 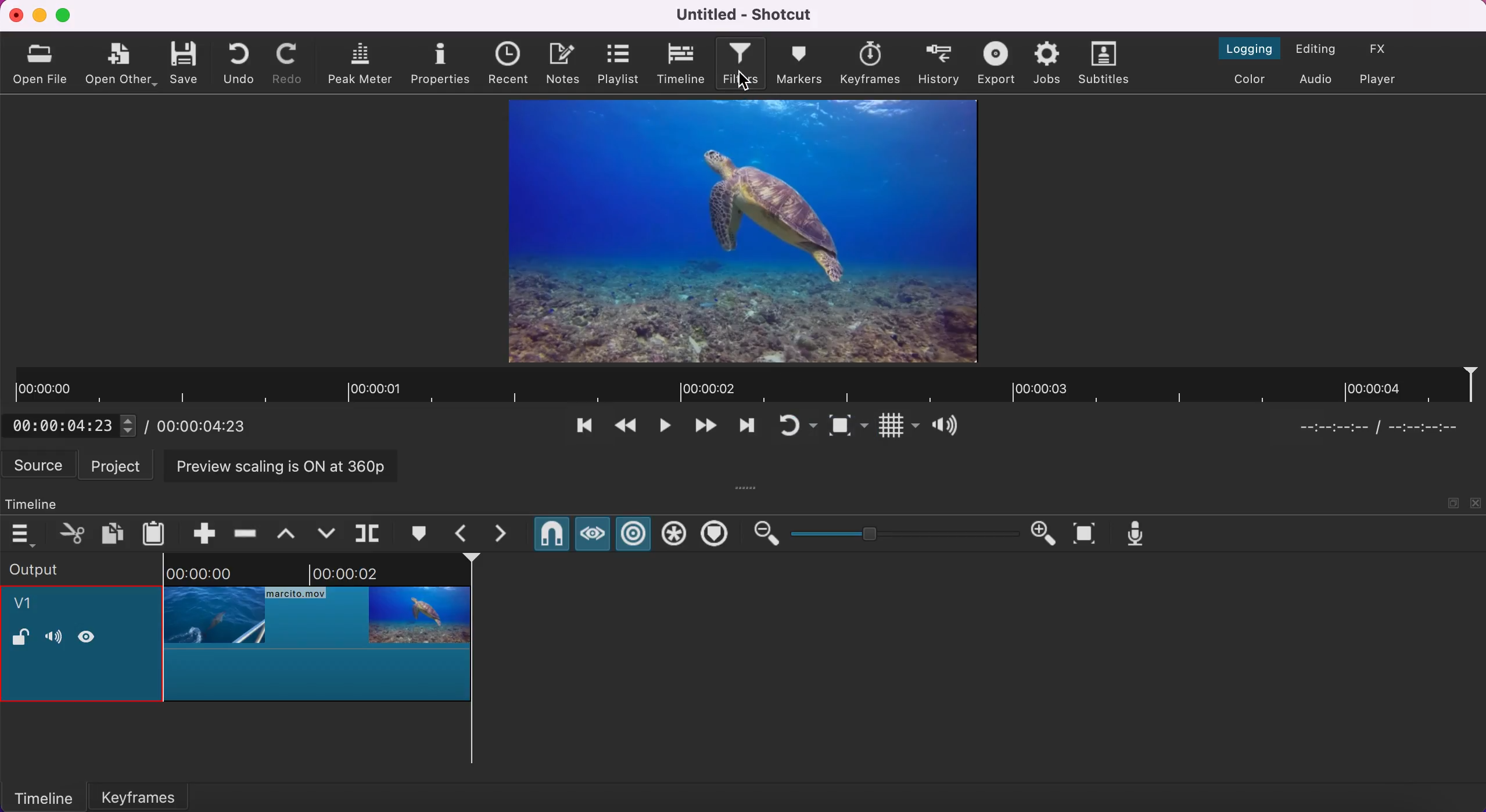 I want to click on skip to the next point, so click(x=704, y=429).